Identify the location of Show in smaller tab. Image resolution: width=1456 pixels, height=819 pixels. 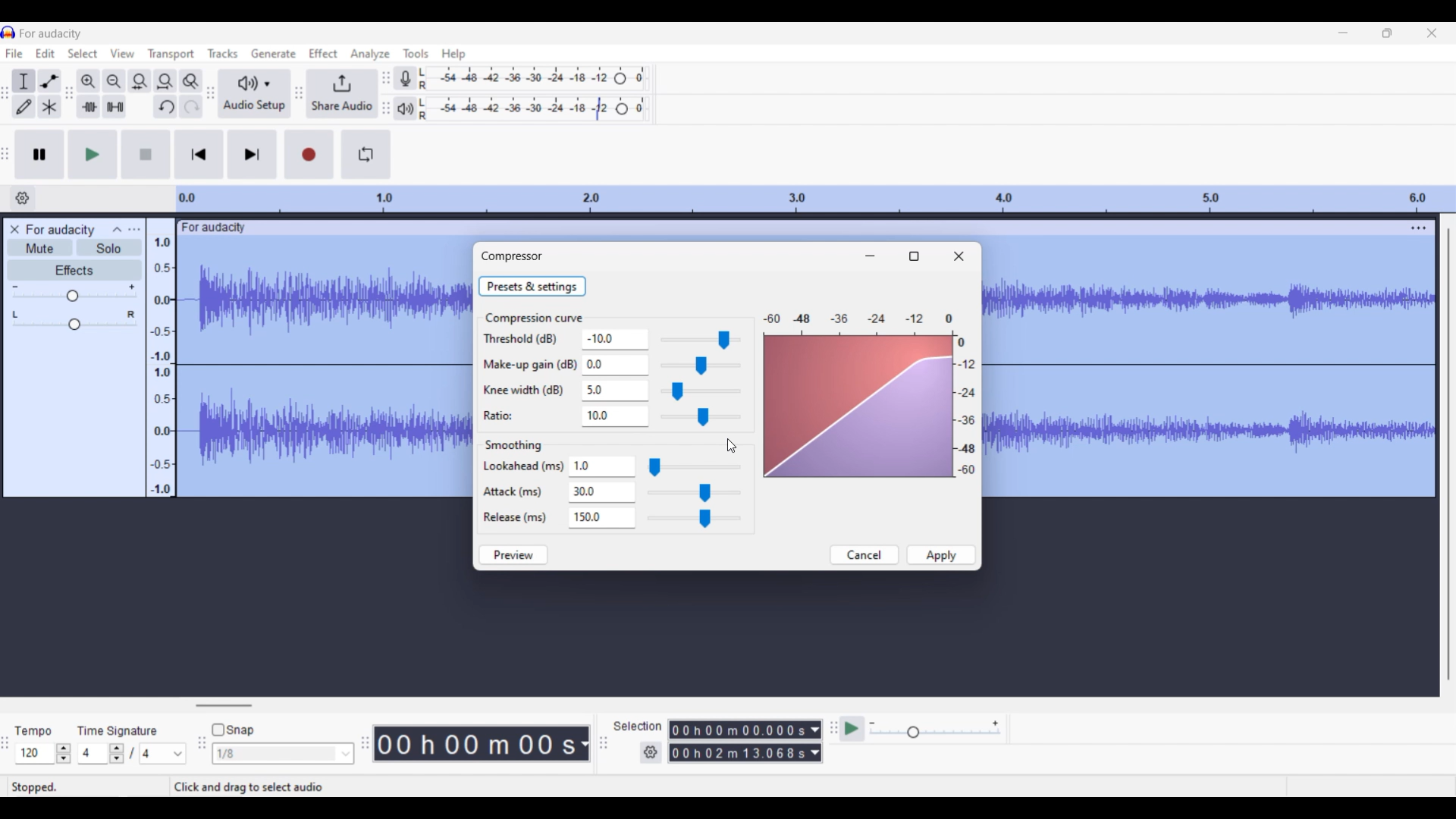
(1388, 33).